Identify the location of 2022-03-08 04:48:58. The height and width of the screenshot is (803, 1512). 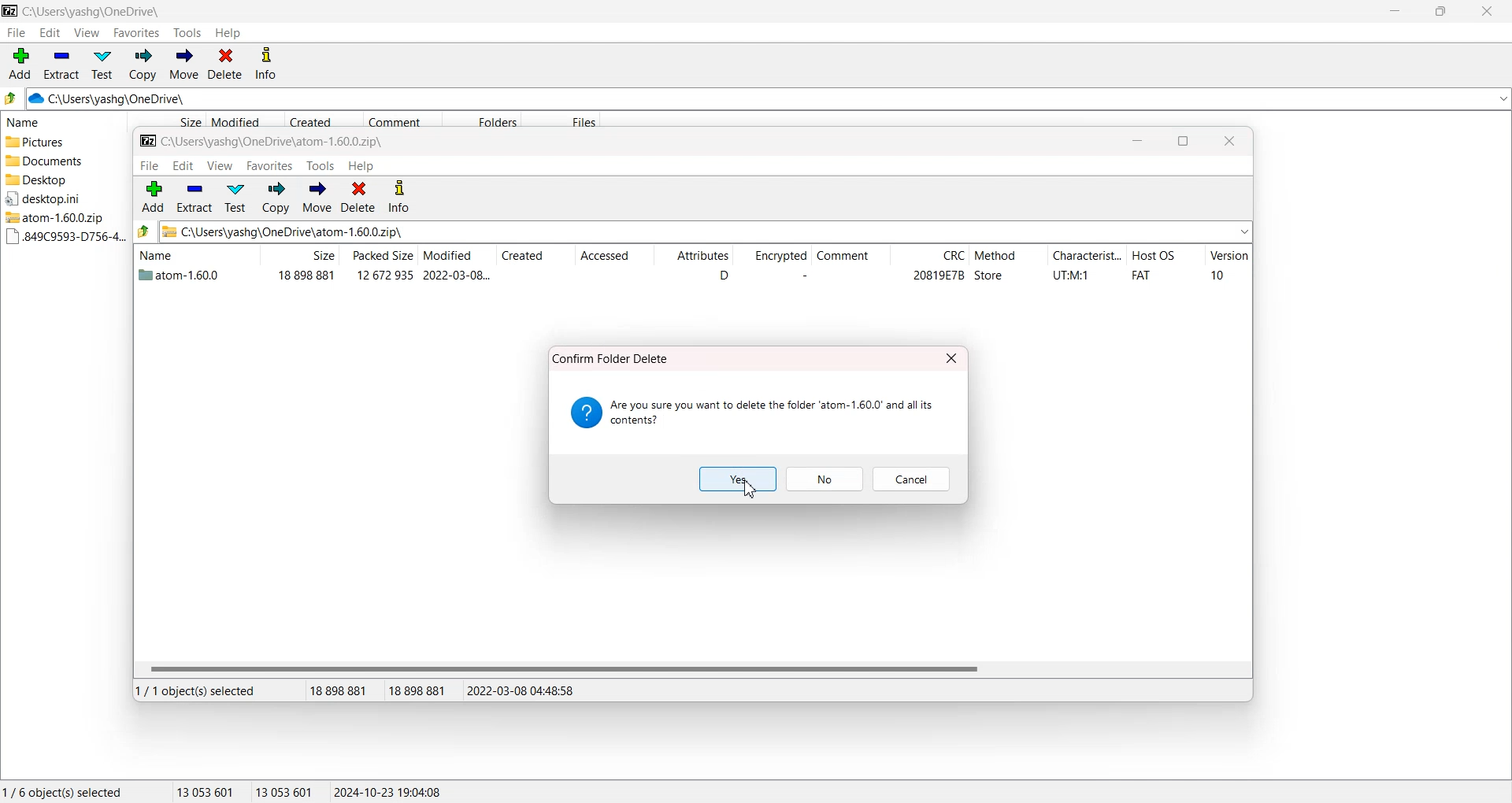
(522, 690).